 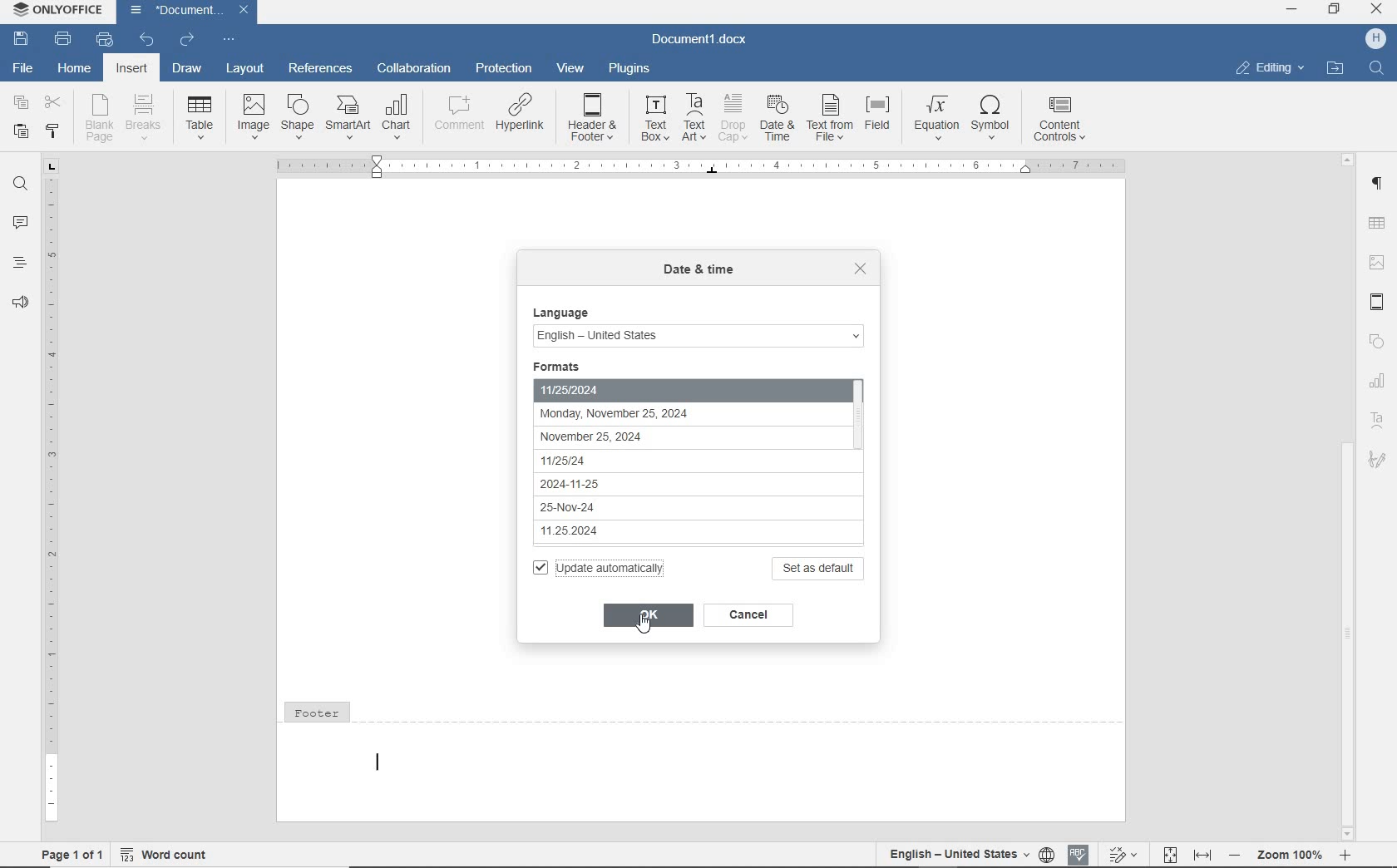 I want to click on copy, so click(x=22, y=102).